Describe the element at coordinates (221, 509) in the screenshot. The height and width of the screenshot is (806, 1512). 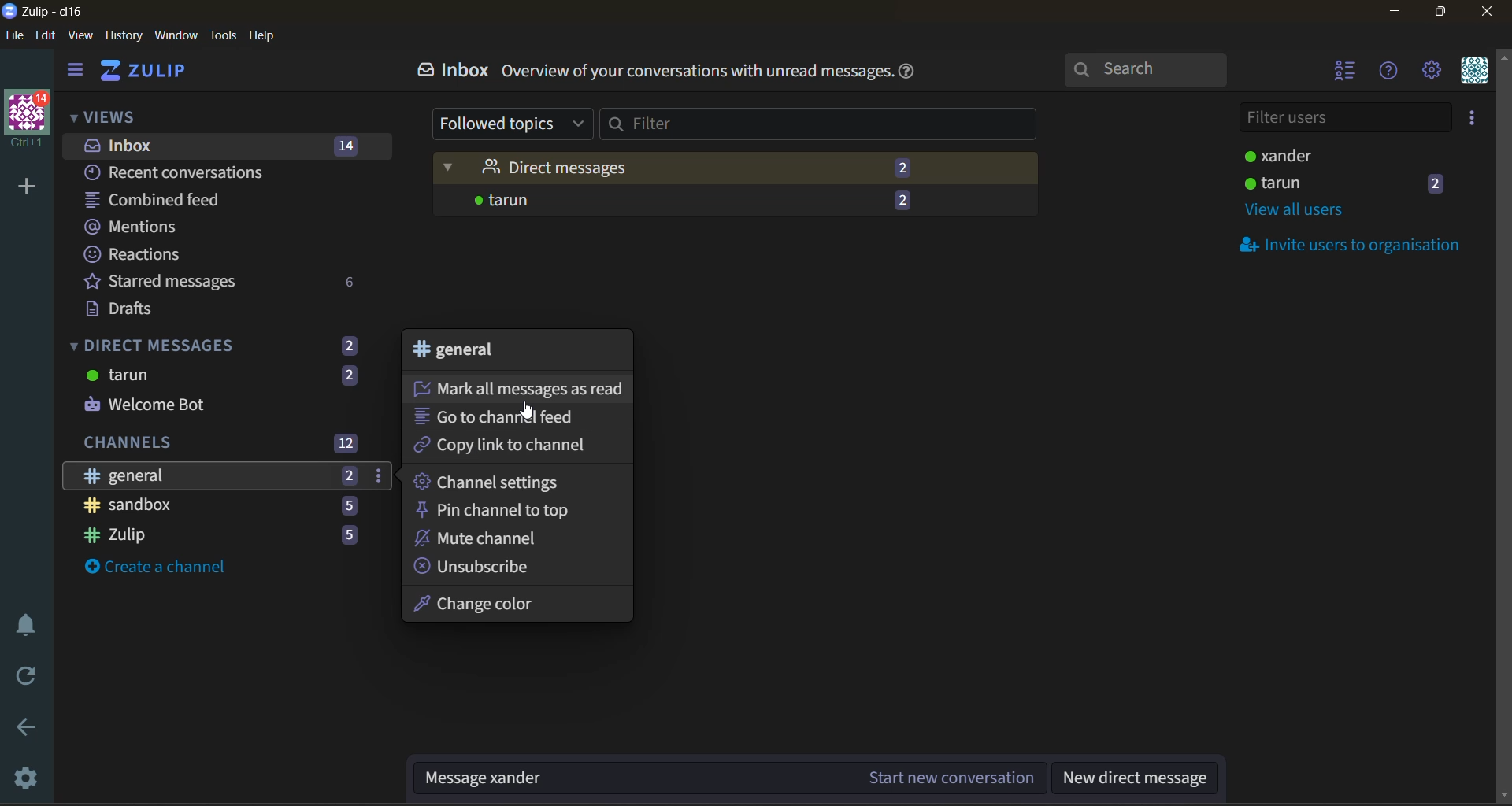
I see `sandbox 5` at that location.